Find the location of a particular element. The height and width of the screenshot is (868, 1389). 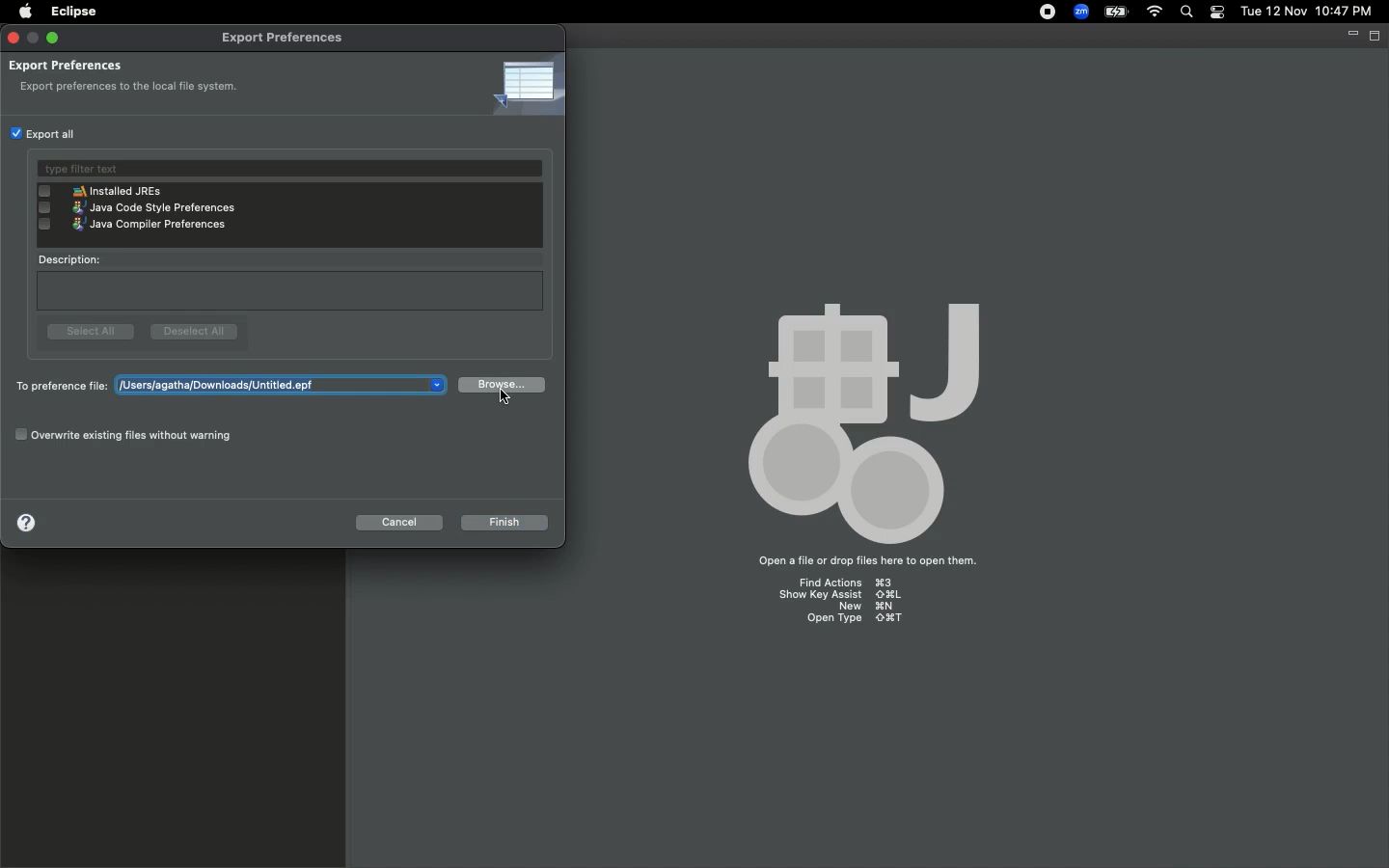

Finish is located at coordinates (504, 524).